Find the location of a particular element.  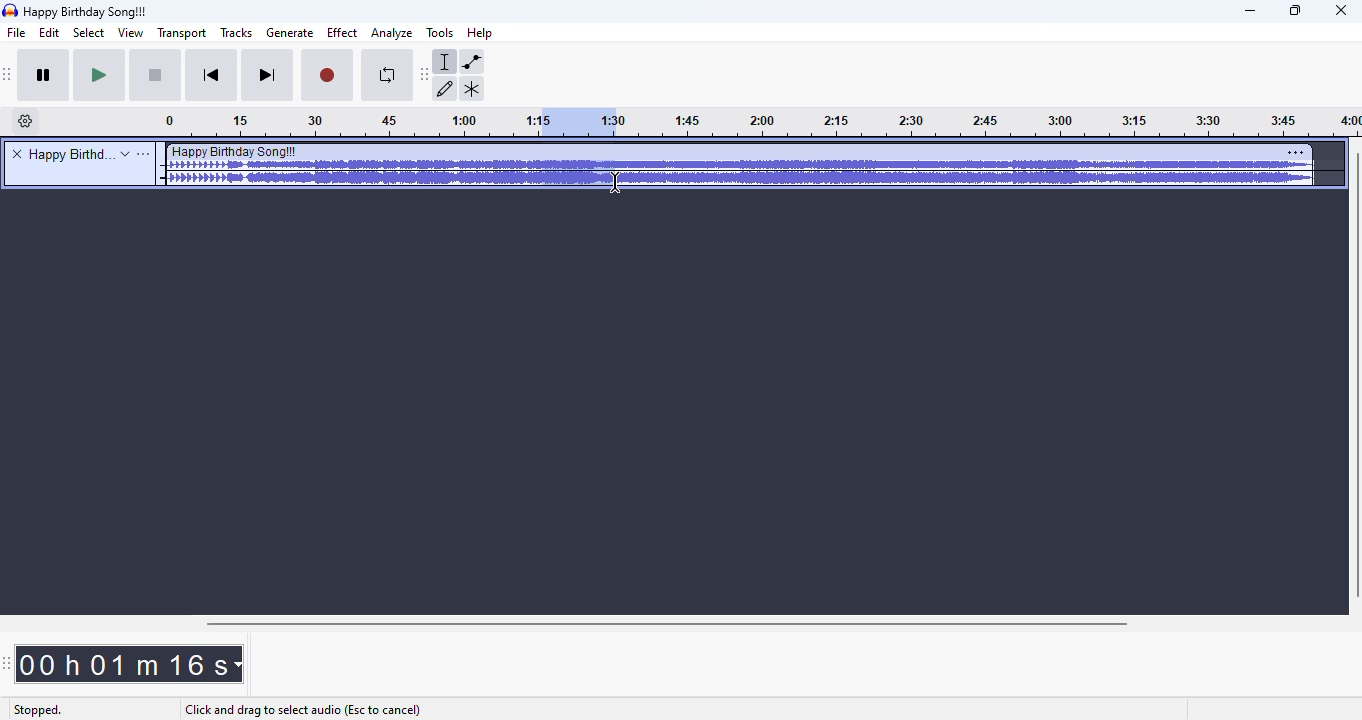

click and drag to select audio (esc to cancel) is located at coordinates (302, 710).